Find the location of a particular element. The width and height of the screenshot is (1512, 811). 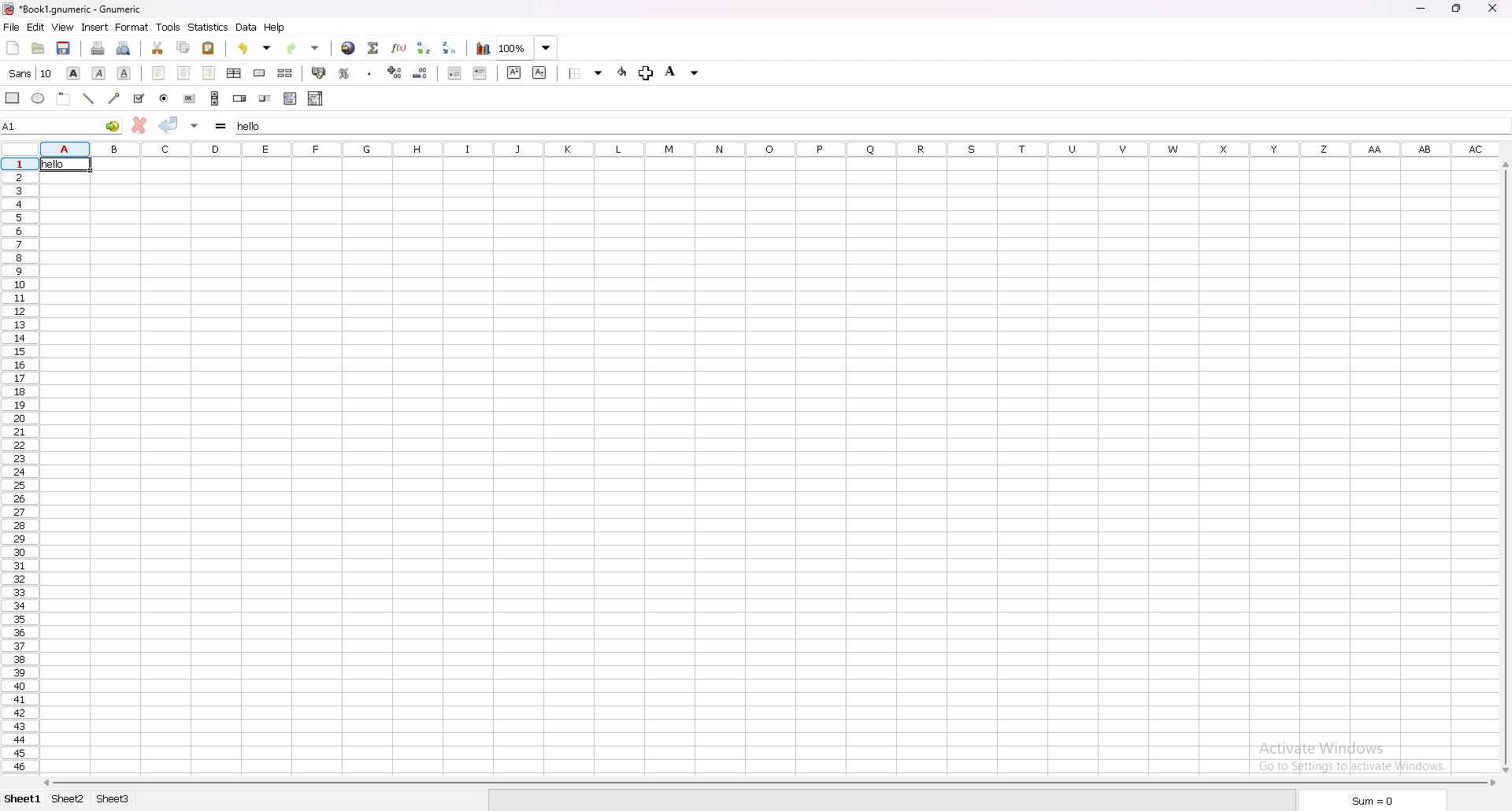

radio button is located at coordinates (164, 98).